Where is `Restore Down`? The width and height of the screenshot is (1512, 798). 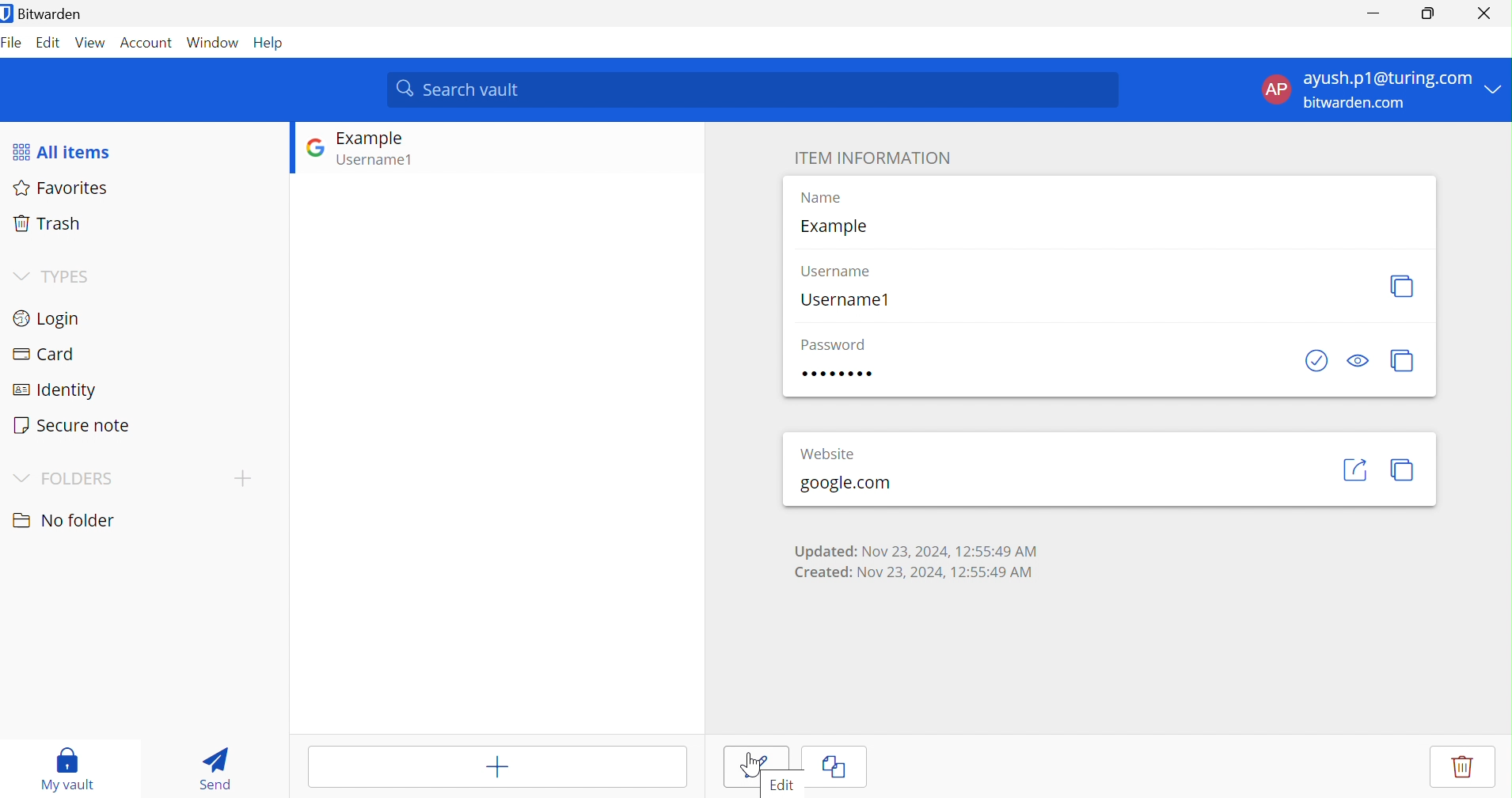 Restore Down is located at coordinates (1429, 13).